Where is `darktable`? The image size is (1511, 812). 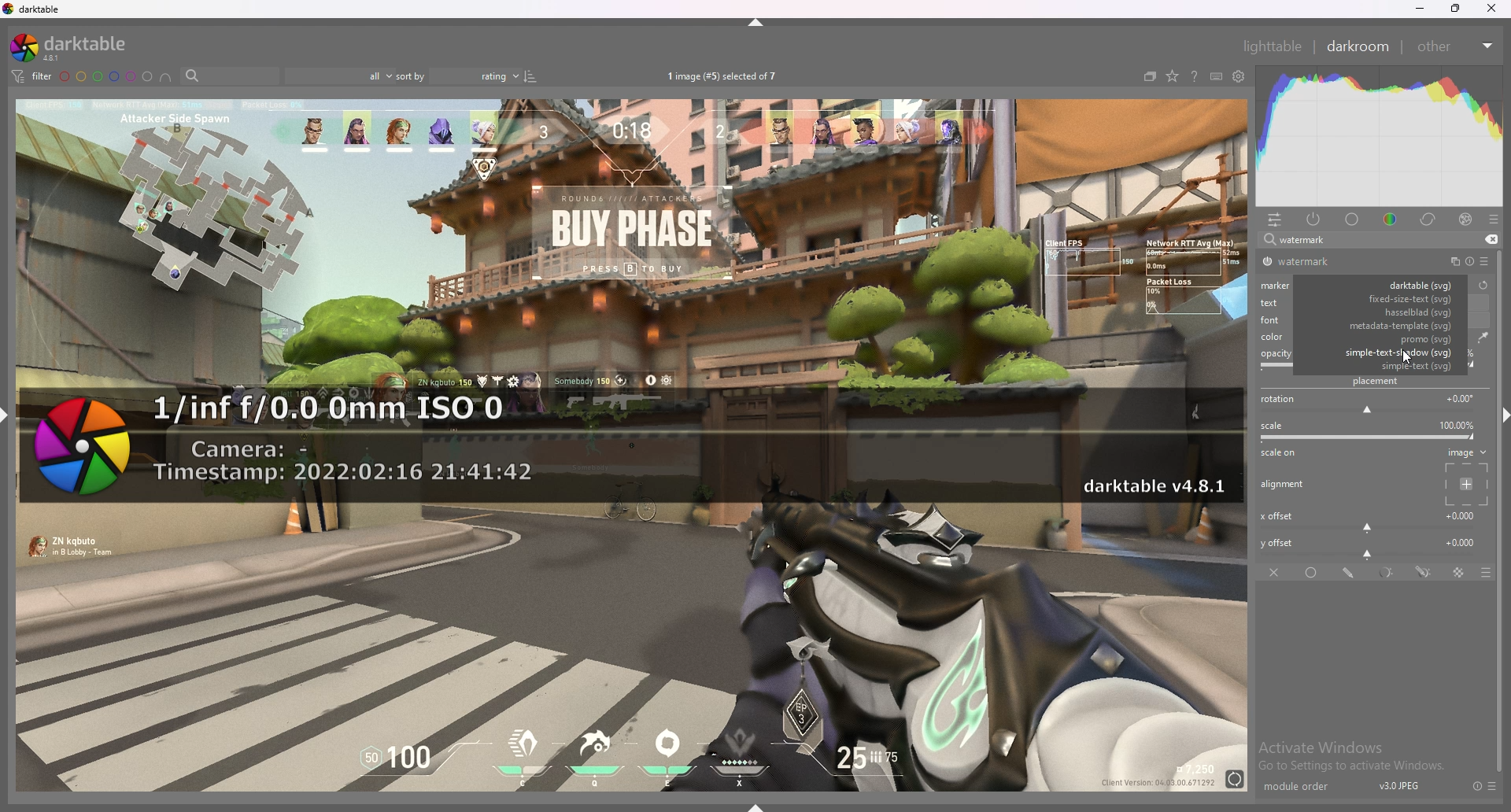 darktable is located at coordinates (75, 47).